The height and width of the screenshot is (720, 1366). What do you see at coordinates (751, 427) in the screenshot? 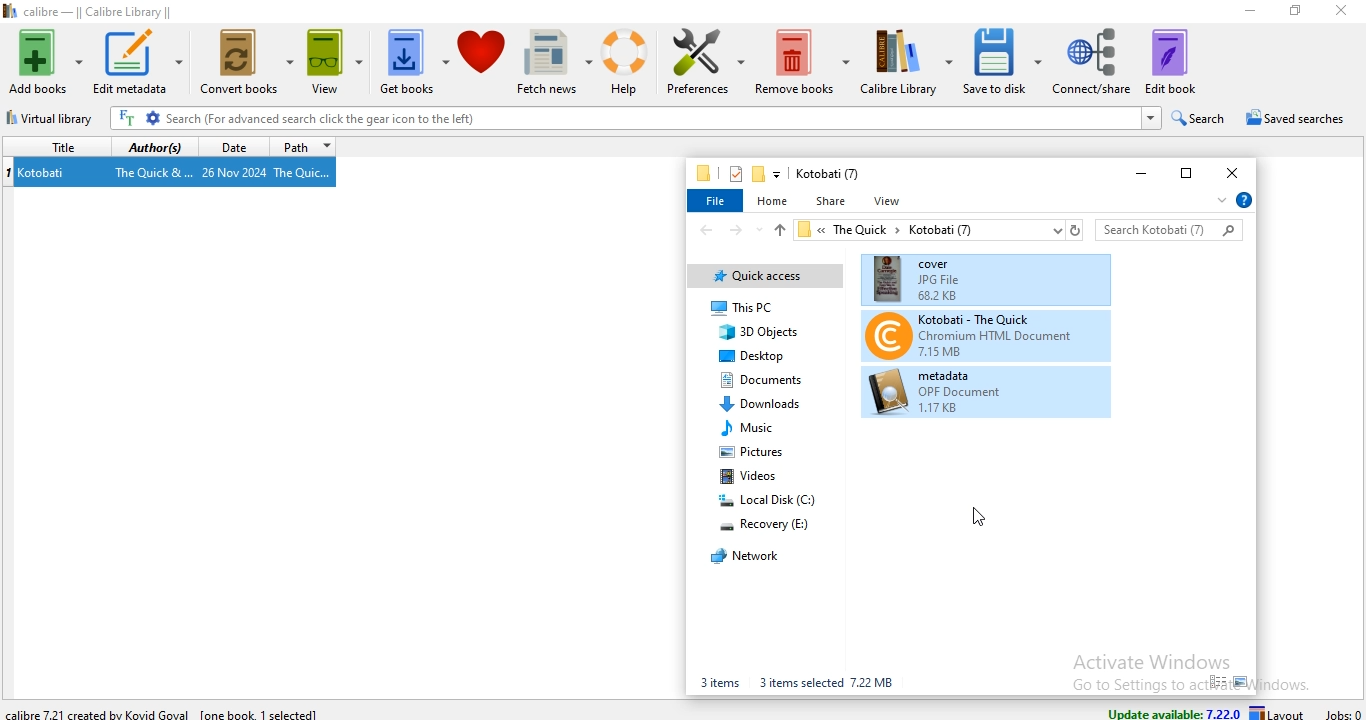
I see `music` at bounding box center [751, 427].